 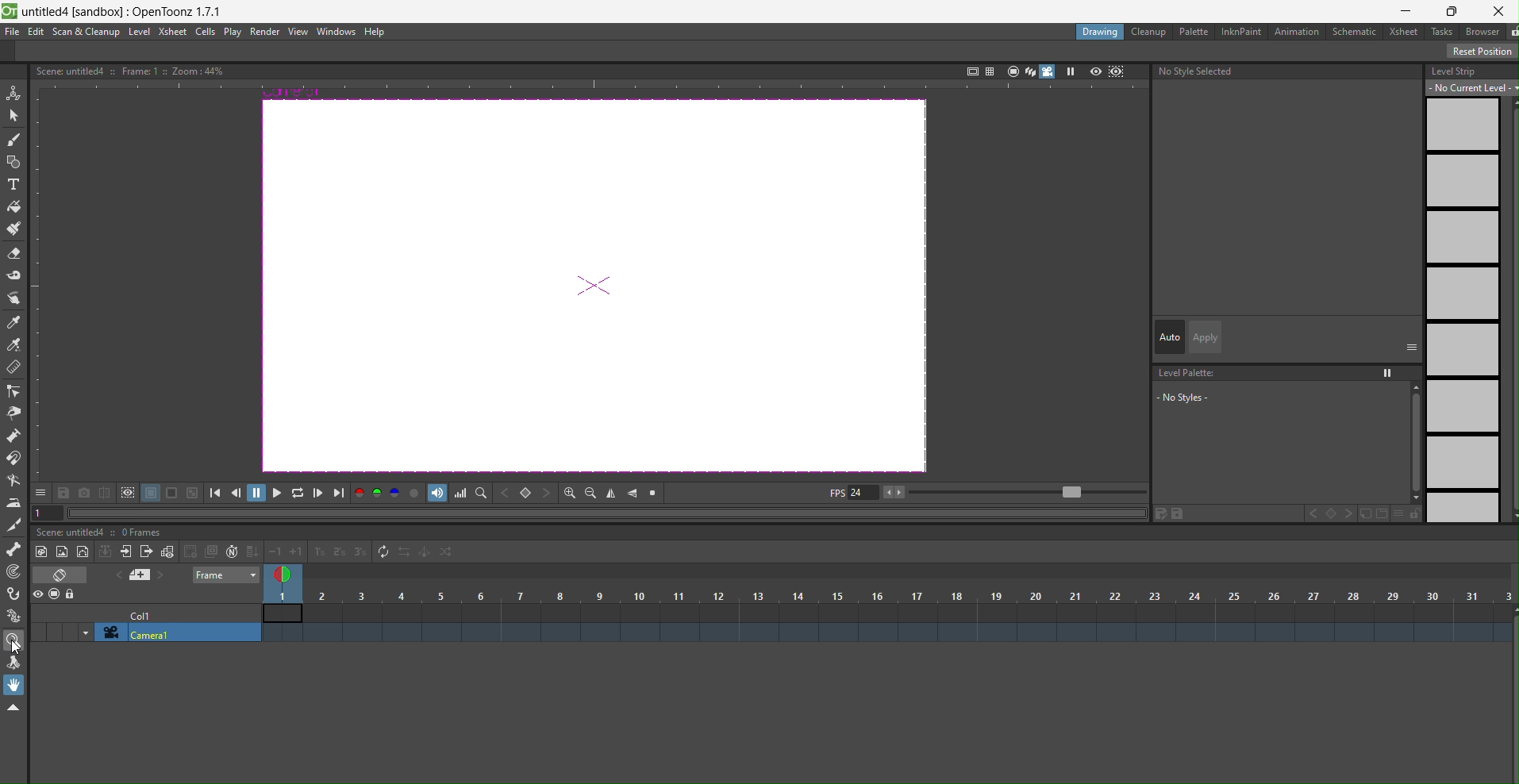 I want to click on fps display, so click(x=852, y=496).